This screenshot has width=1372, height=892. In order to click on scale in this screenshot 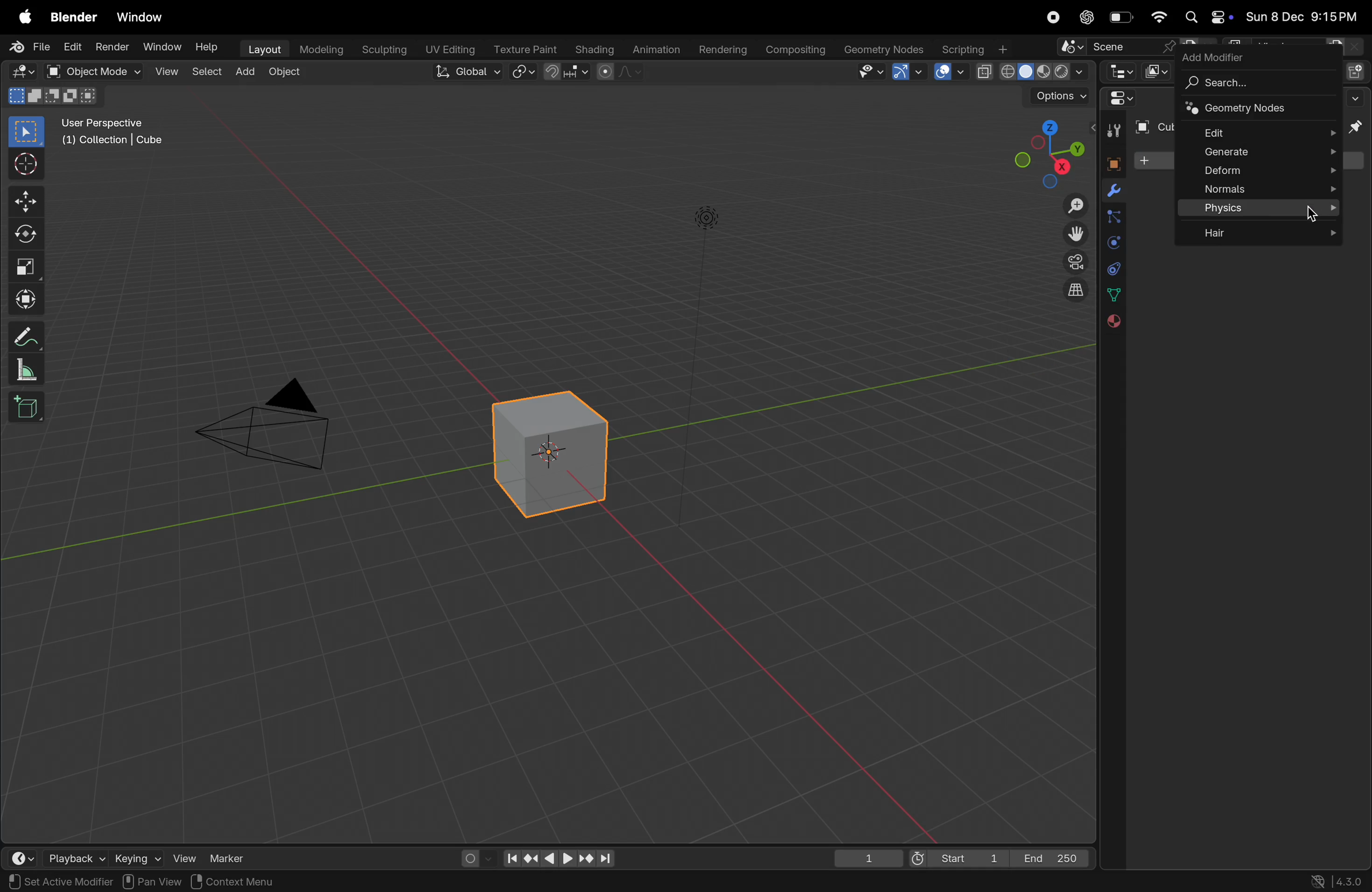, I will do `click(26, 267)`.